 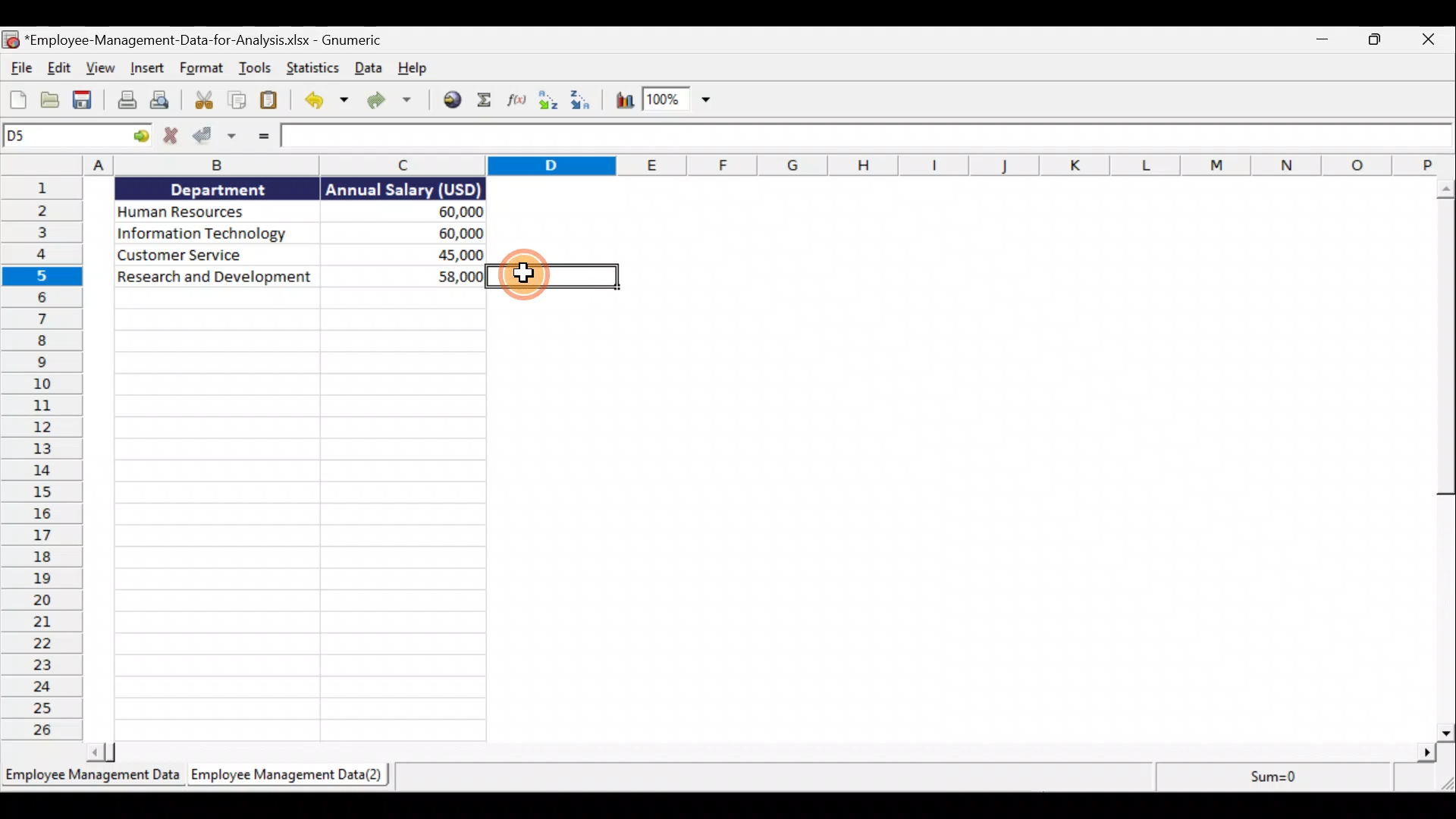 What do you see at coordinates (392, 100) in the screenshot?
I see `Redo the undone action` at bounding box center [392, 100].